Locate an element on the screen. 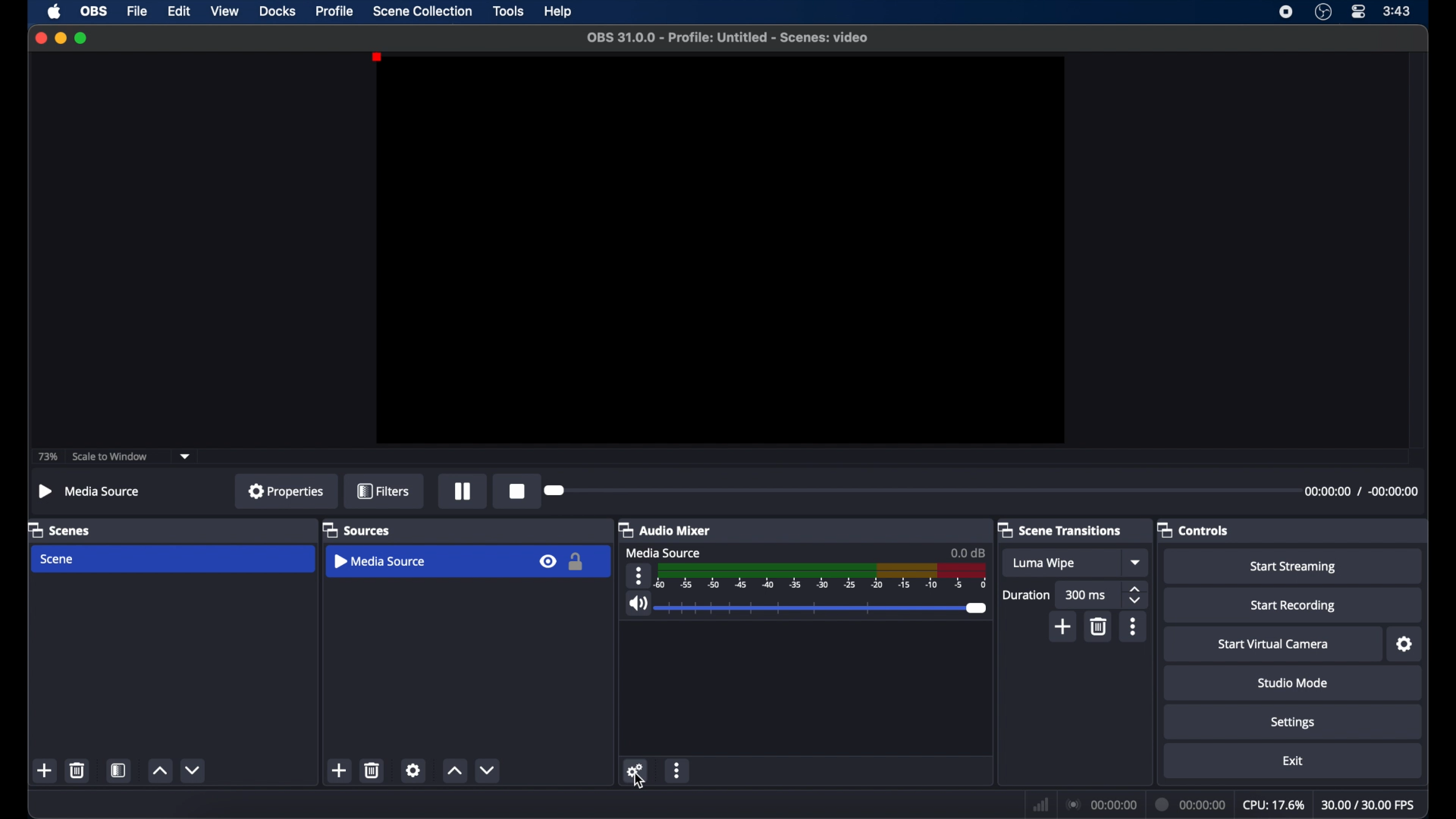 The image size is (1456, 819). network is located at coordinates (1041, 805).